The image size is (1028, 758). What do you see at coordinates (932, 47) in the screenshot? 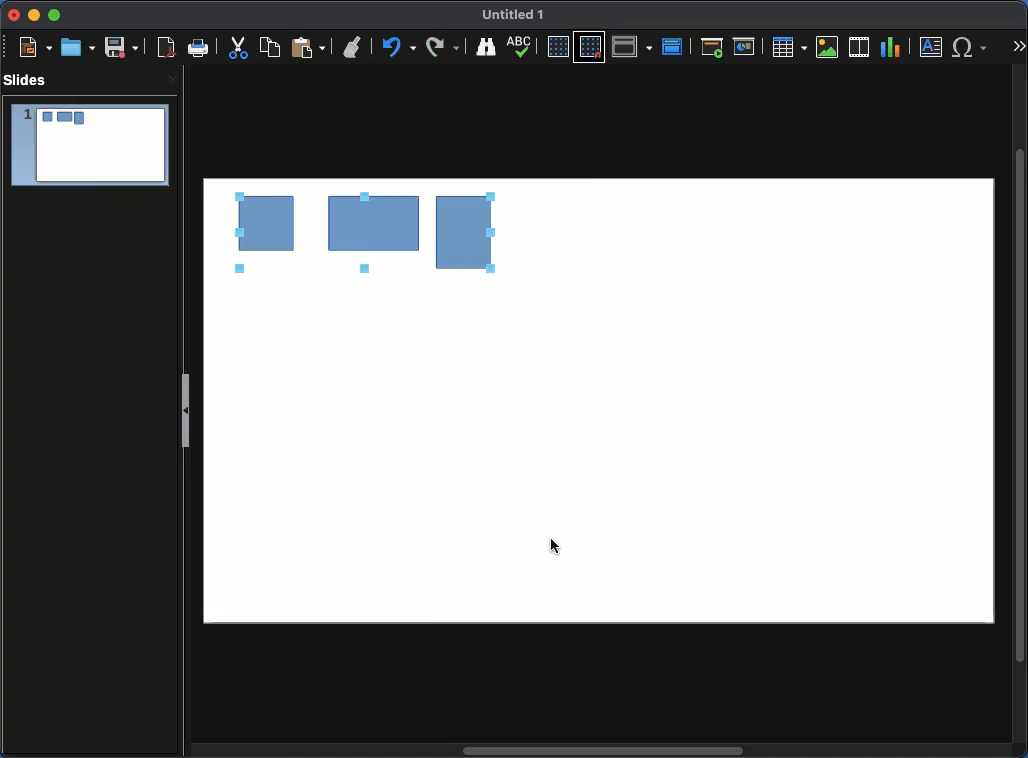
I see `Text box` at bounding box center [932, 47].